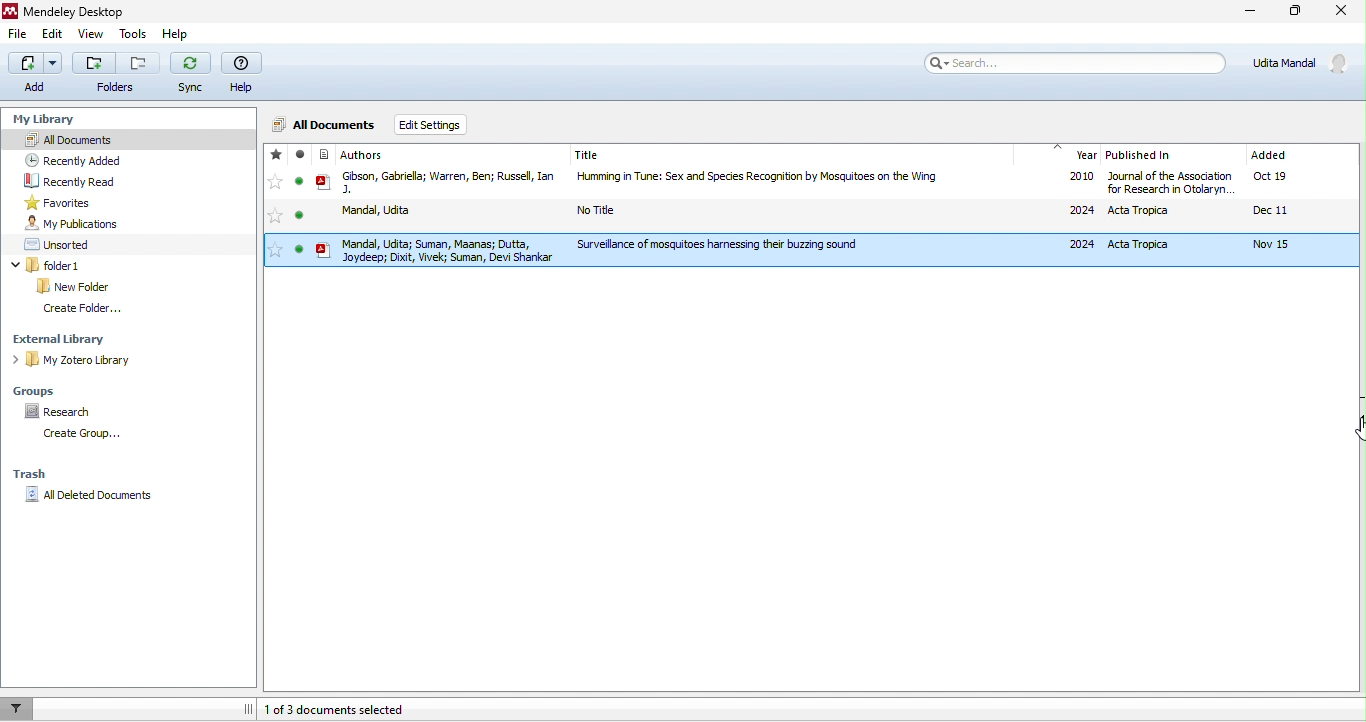  Describe the element at coordinates (192, 73) in the screenshot. I see `sync` at that location.